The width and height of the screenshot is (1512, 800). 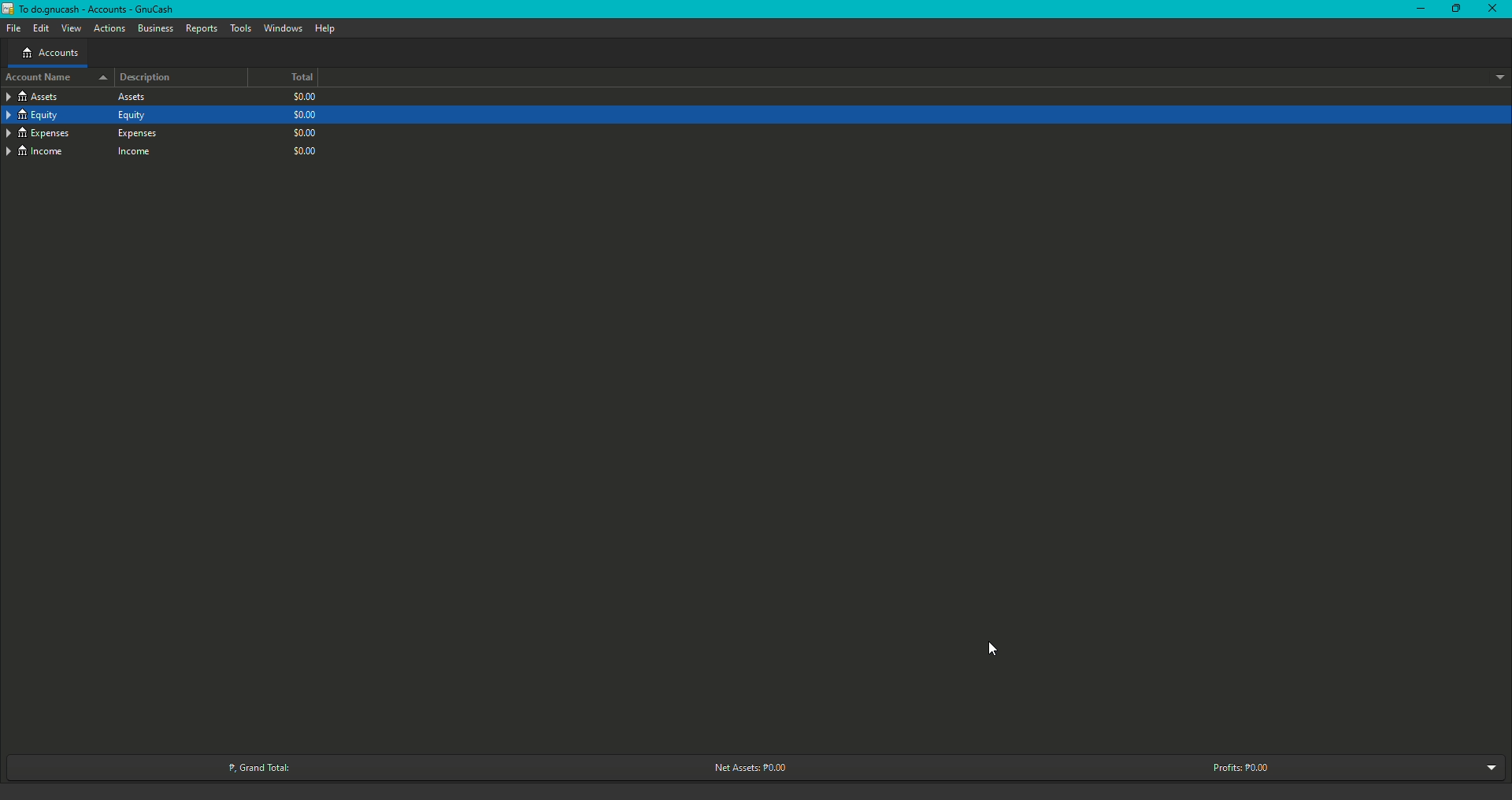 What do you see at coordinates (39, 28) in the screenshot?
I see `Edit` at bounding box center [39, 28].